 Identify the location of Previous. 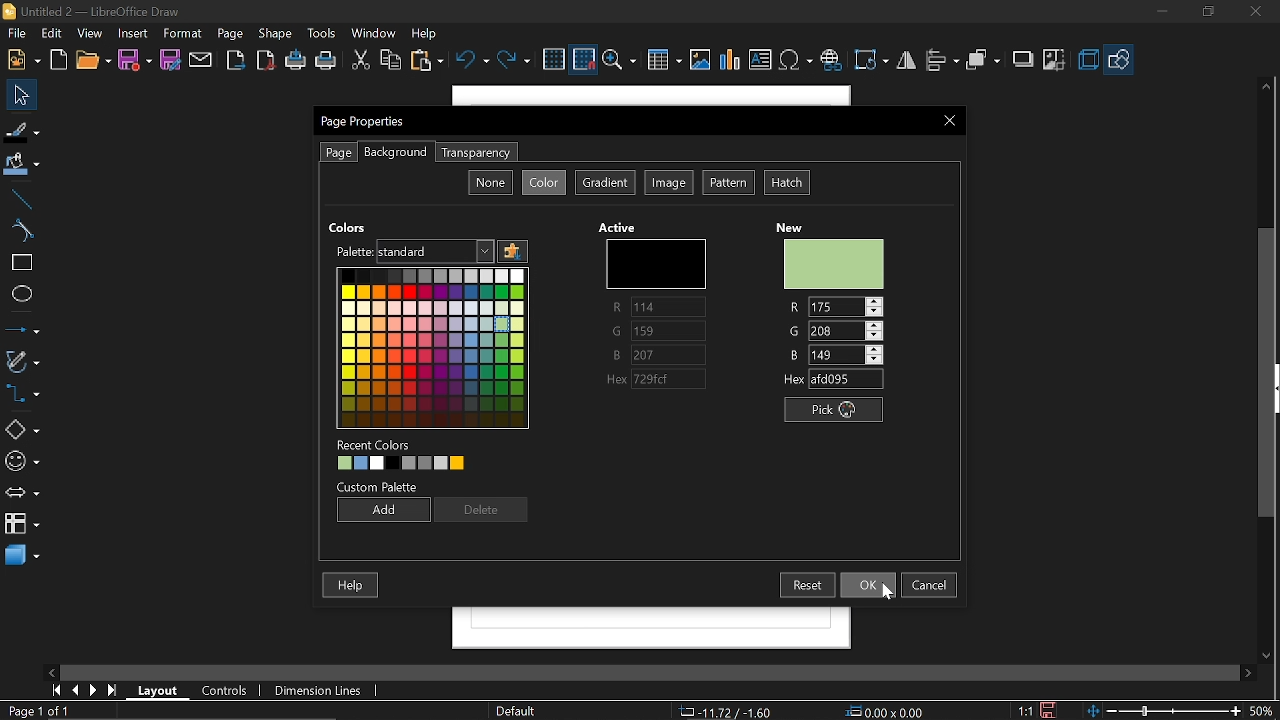
(77, 691).